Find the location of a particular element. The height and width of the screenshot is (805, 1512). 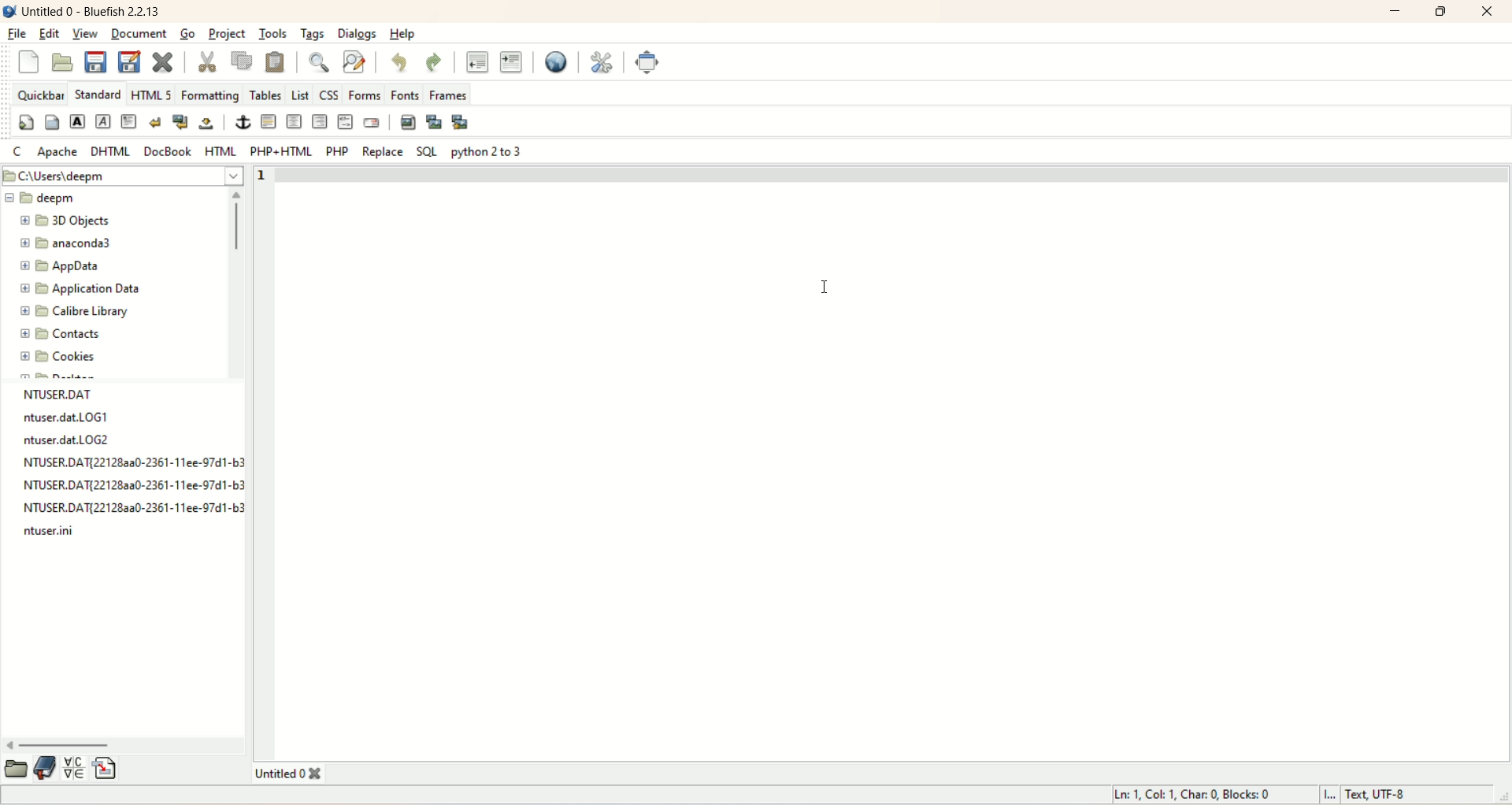

minimize is located at coordinates (1395, 11).